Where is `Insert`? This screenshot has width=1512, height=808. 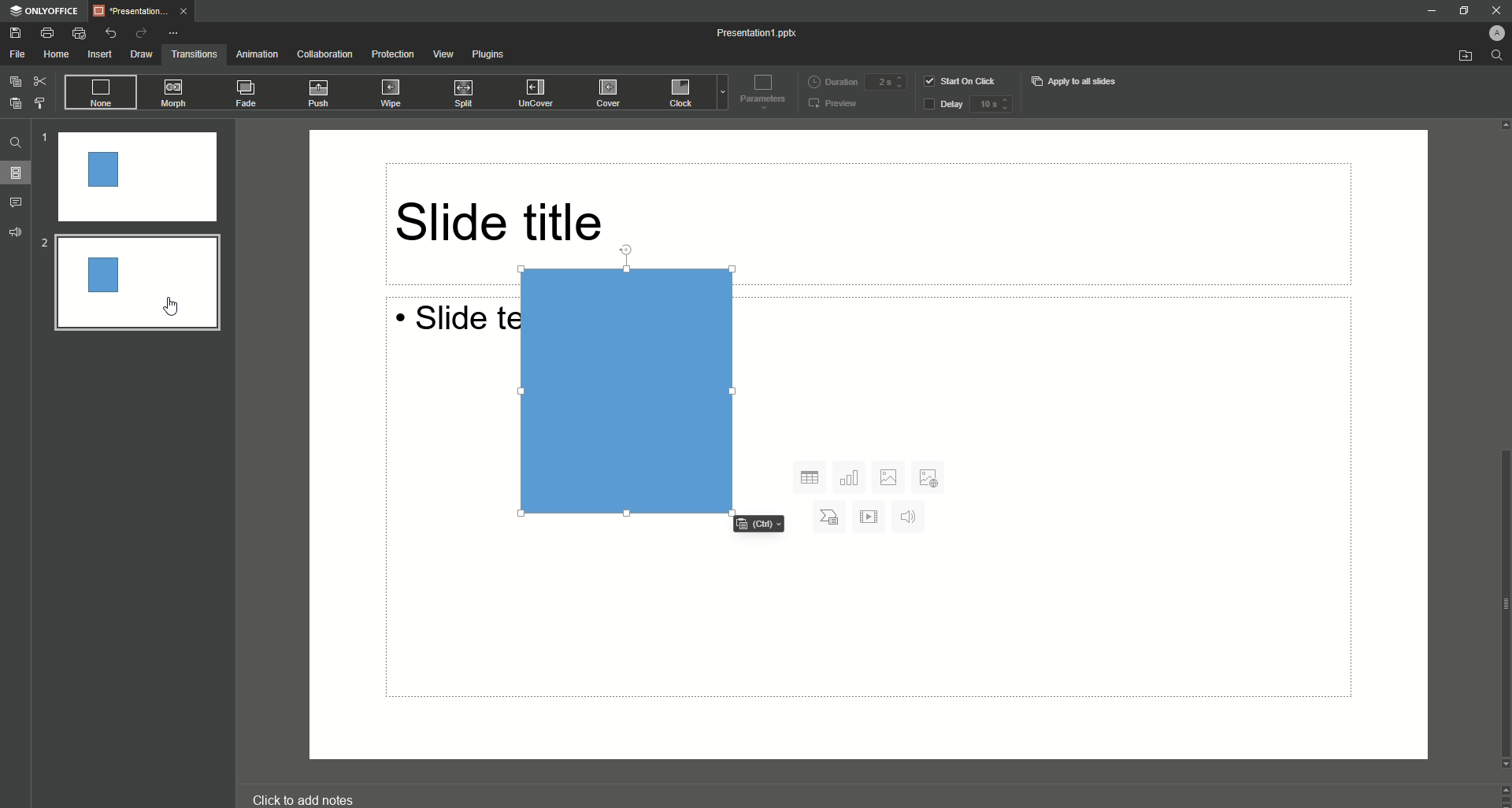 Insert is located at coordinates (98, 54).